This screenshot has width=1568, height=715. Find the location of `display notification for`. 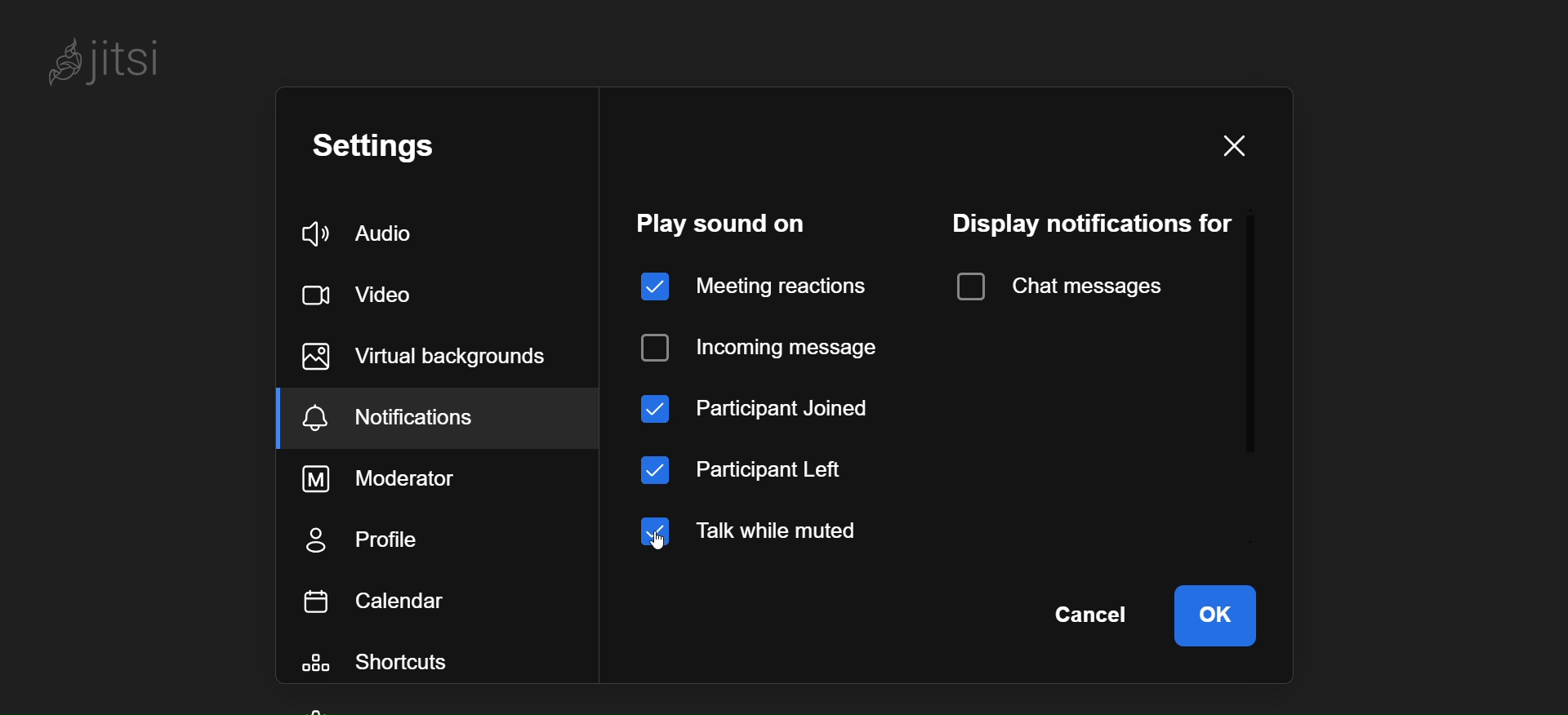

display notification for is located at coordinates (1091, 220).